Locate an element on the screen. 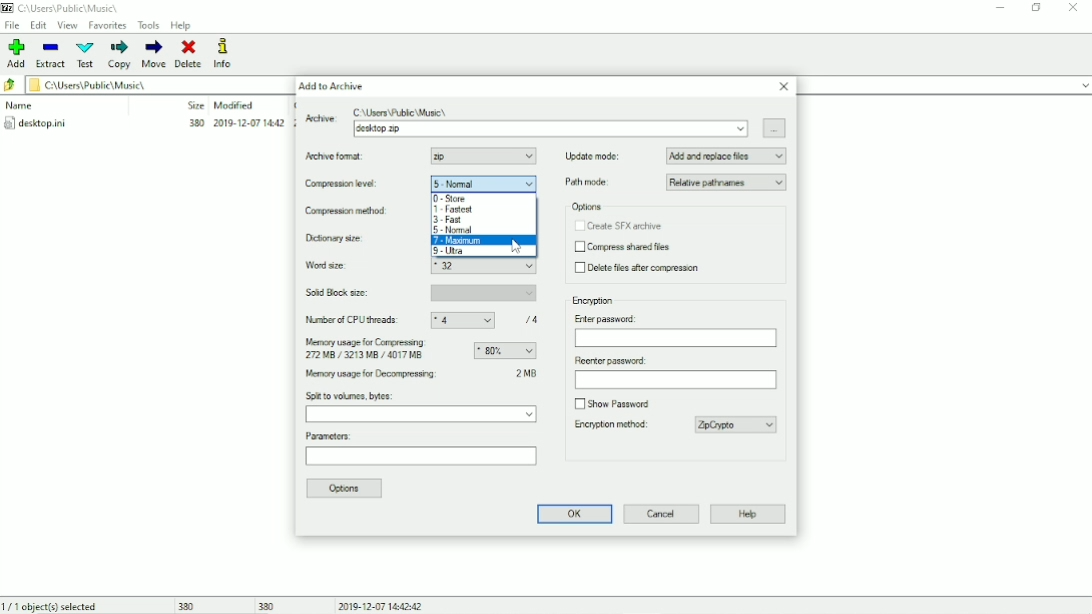 The image size is (1092, 614). Move is located at coordinates (154, 54).